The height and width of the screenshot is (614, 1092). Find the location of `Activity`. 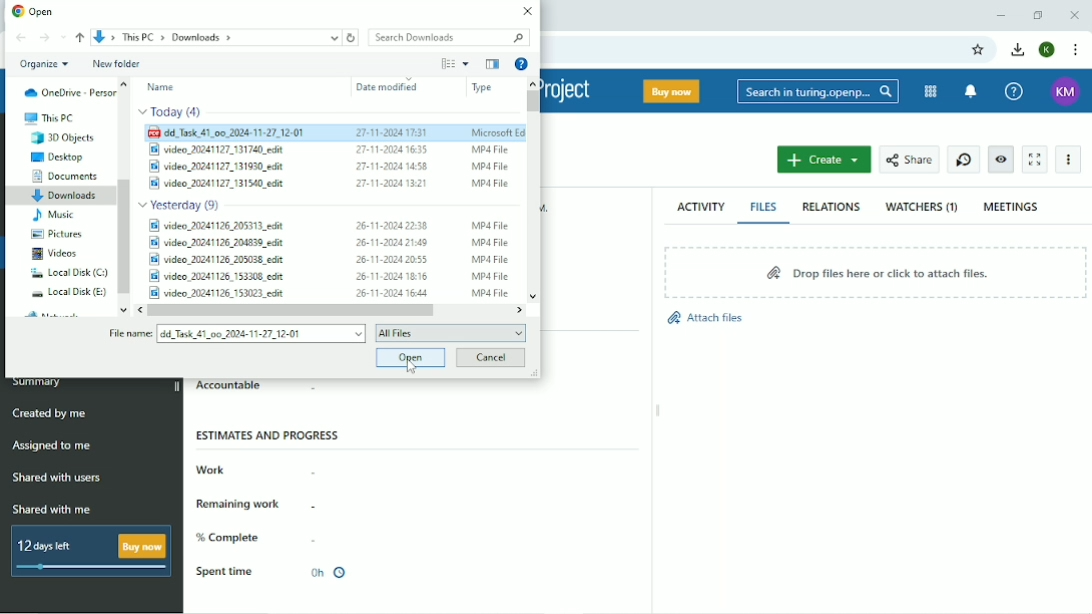

Activity is located at coordinates (700, 208).